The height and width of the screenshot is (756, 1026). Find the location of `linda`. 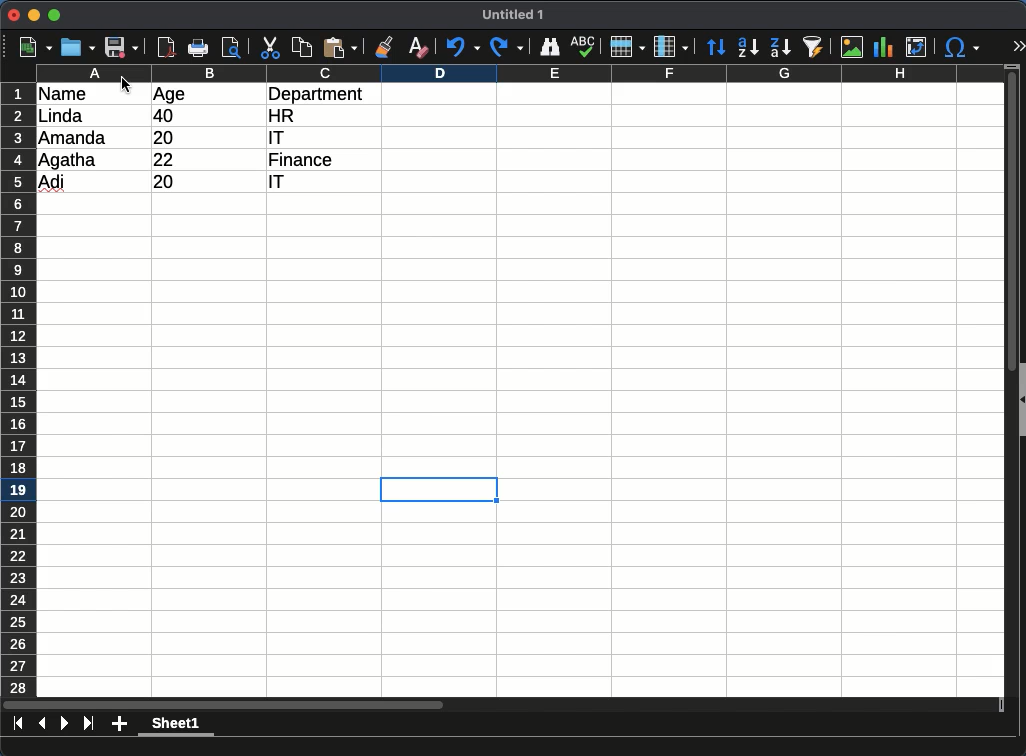

linda is located at coordinates (59, 116).